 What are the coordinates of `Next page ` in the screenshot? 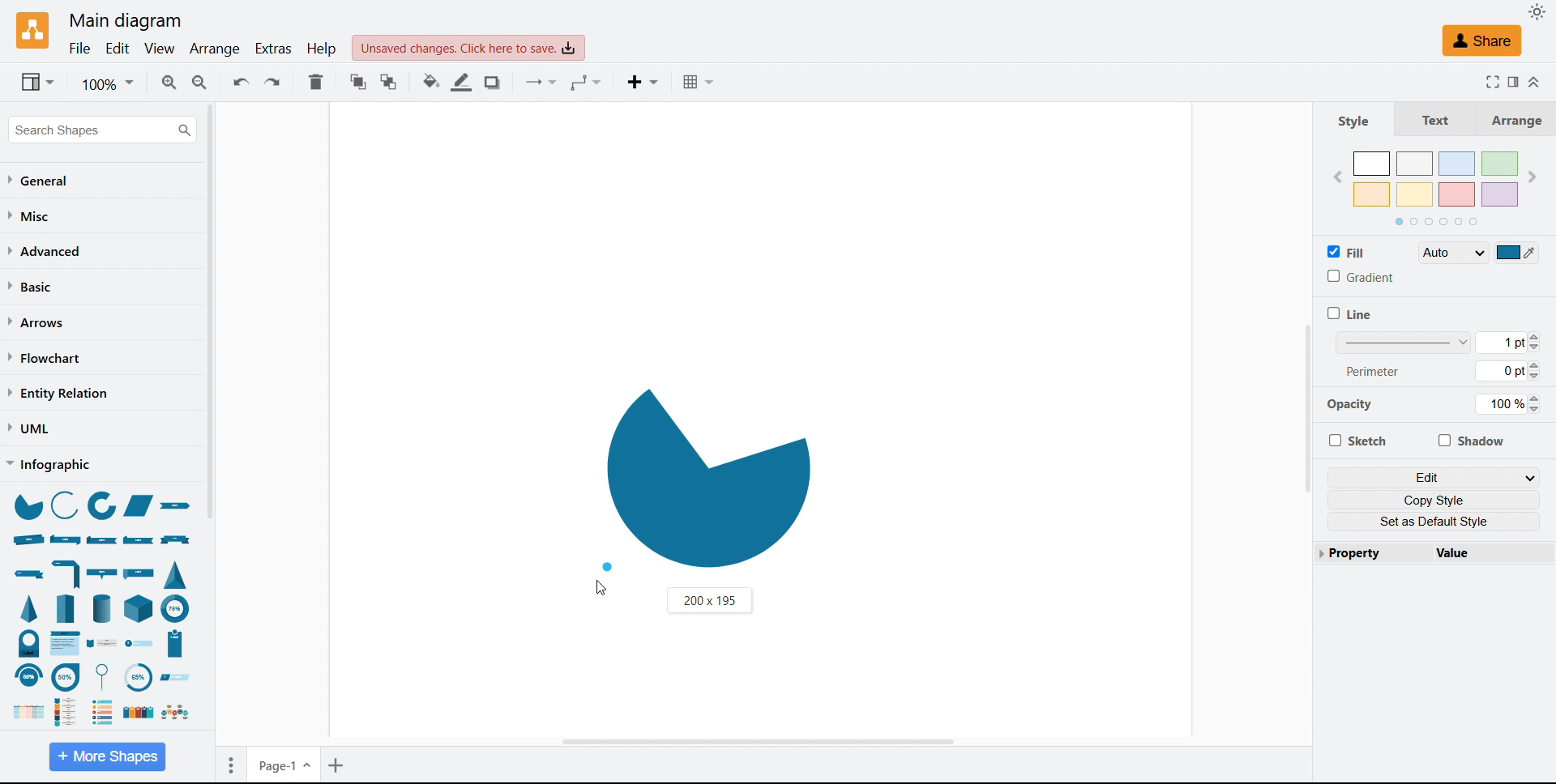 It's located at (1532, 177).